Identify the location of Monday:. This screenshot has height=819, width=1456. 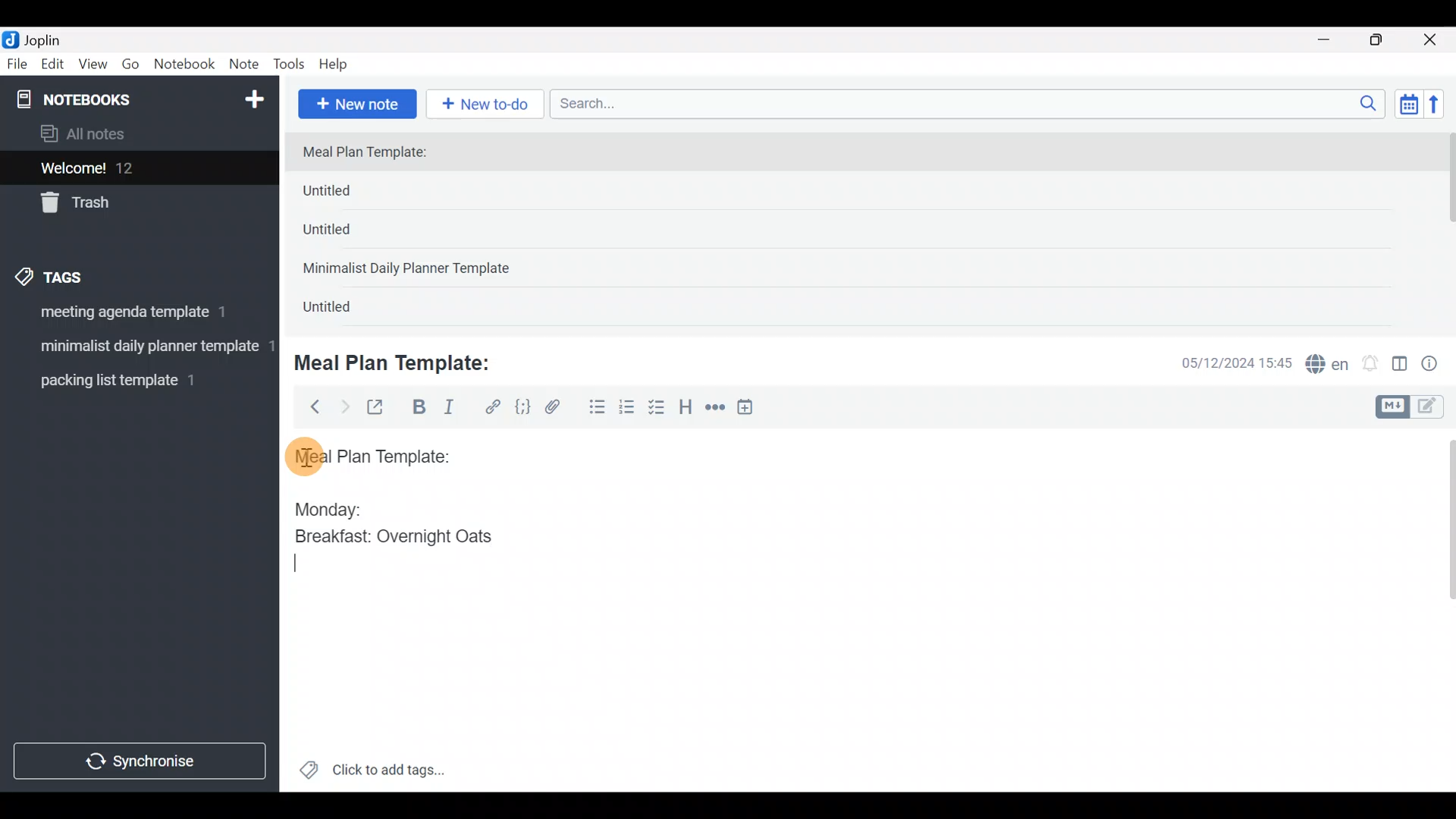
(318, 507).